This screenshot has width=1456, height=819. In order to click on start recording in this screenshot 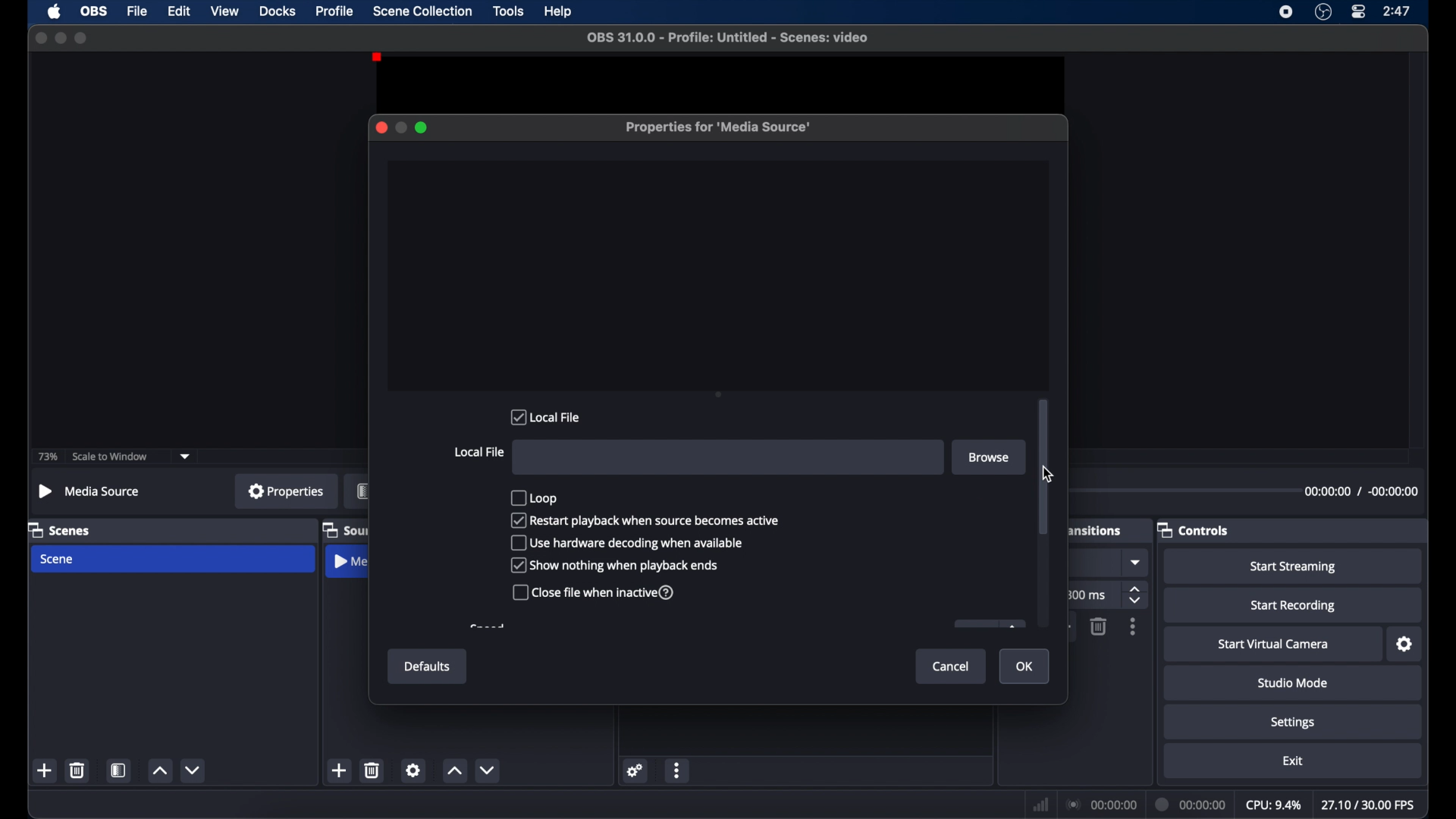, I will do `click(1293, 606)`.